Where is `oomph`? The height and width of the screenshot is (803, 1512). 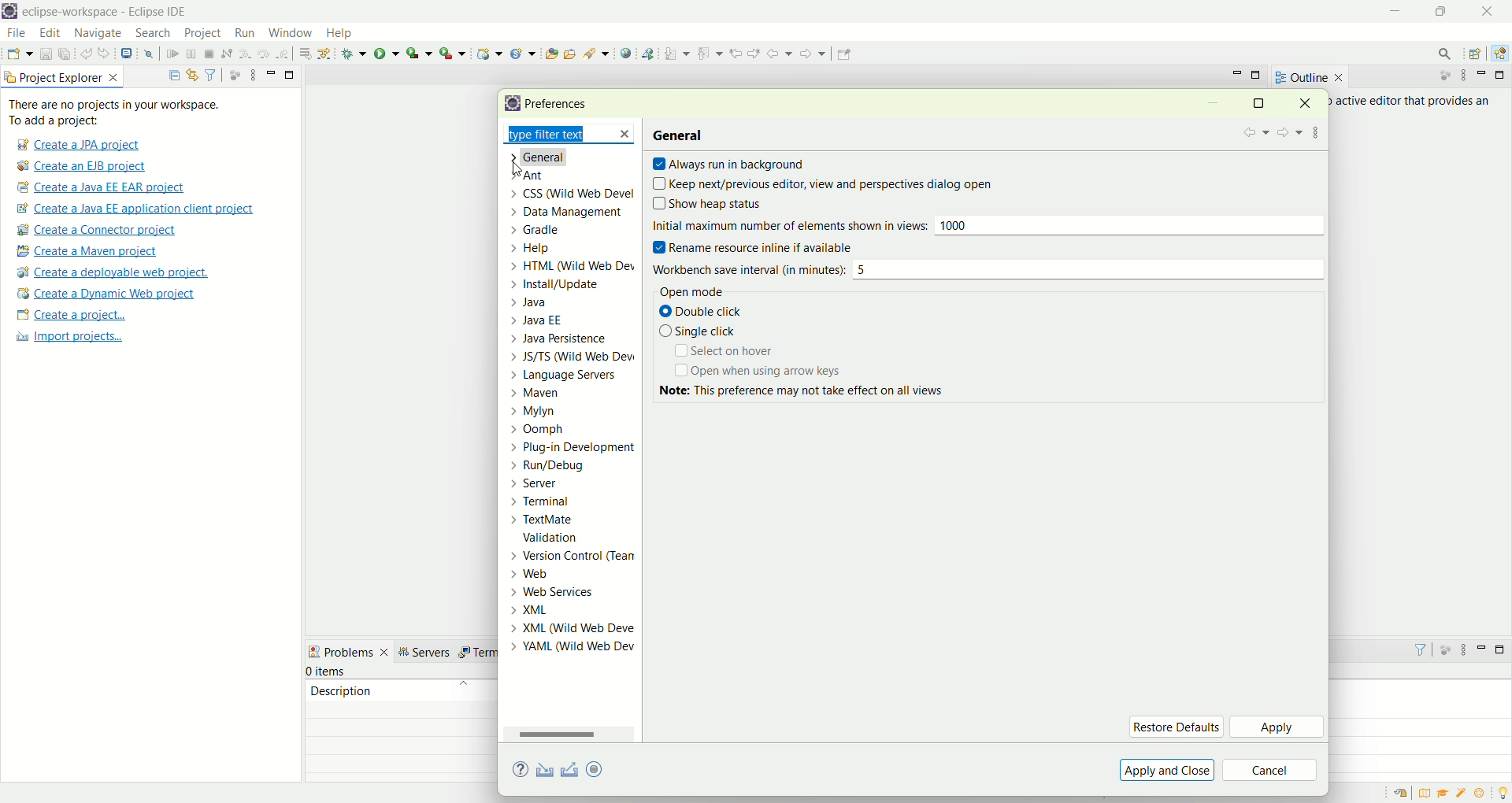 oomph is located at coordinates (573, 431).